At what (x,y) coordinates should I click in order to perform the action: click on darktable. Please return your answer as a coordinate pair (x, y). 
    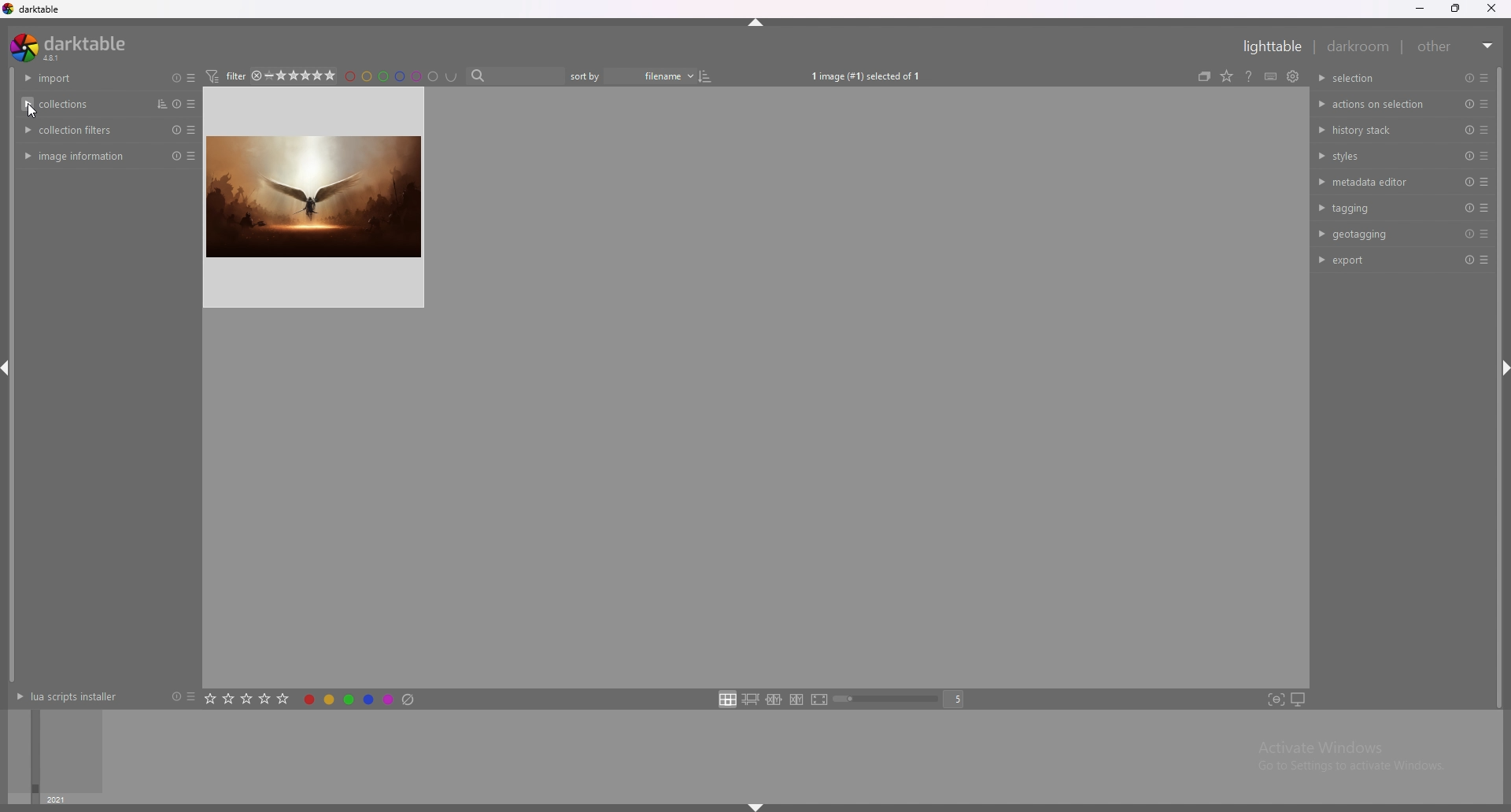
    Looking at the image, I should click on (72, 47).